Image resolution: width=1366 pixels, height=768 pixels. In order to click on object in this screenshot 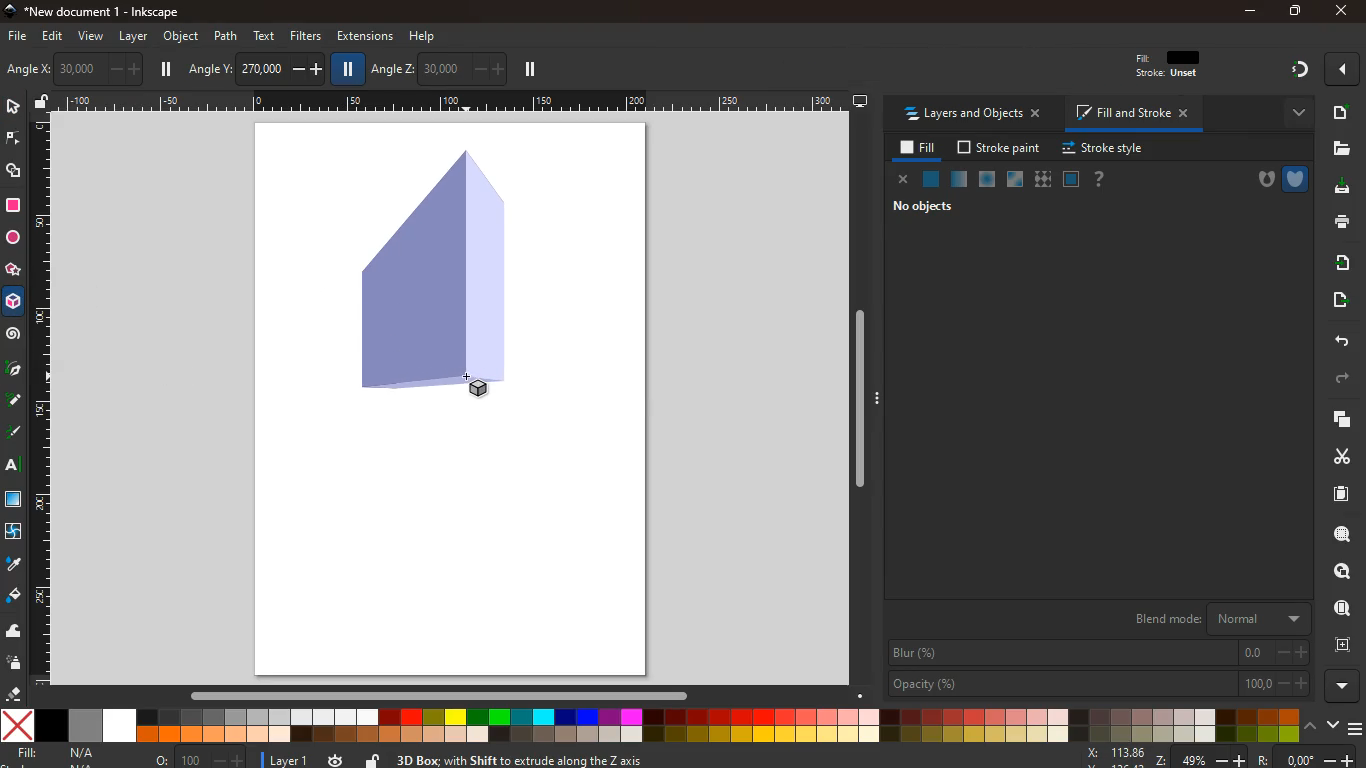, I will do `click(181, 36)`.